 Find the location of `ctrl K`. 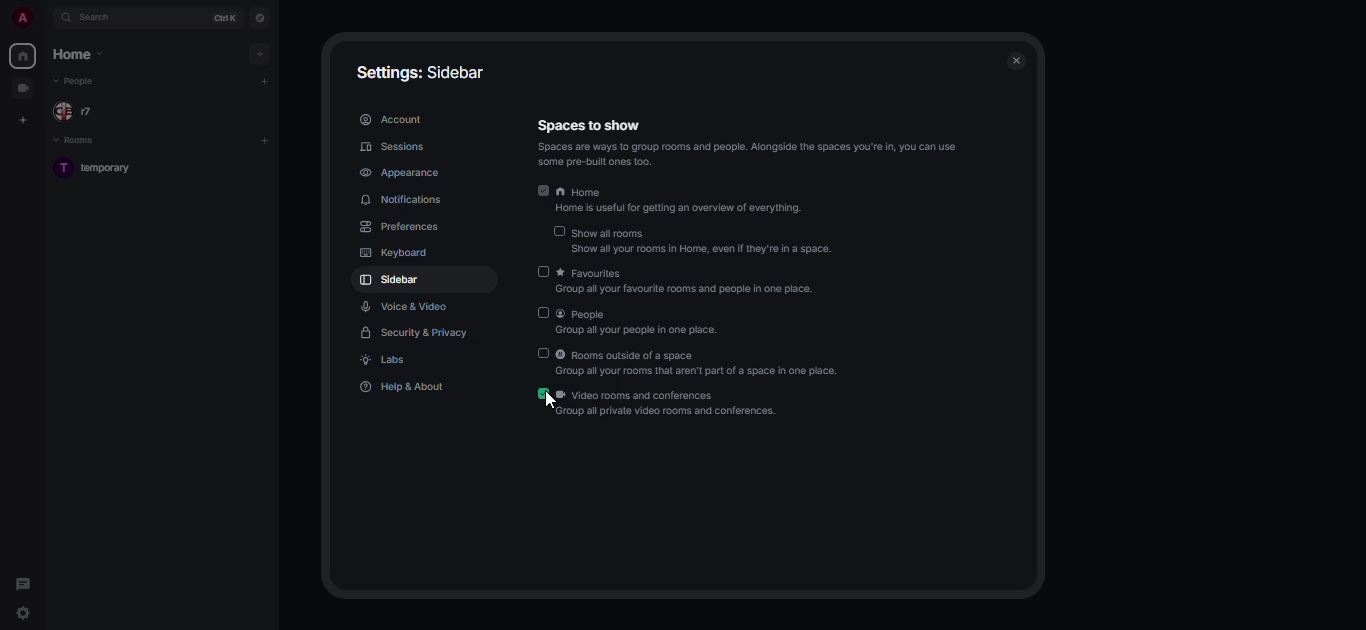

ctrl K is located at coordinates (223, 18).